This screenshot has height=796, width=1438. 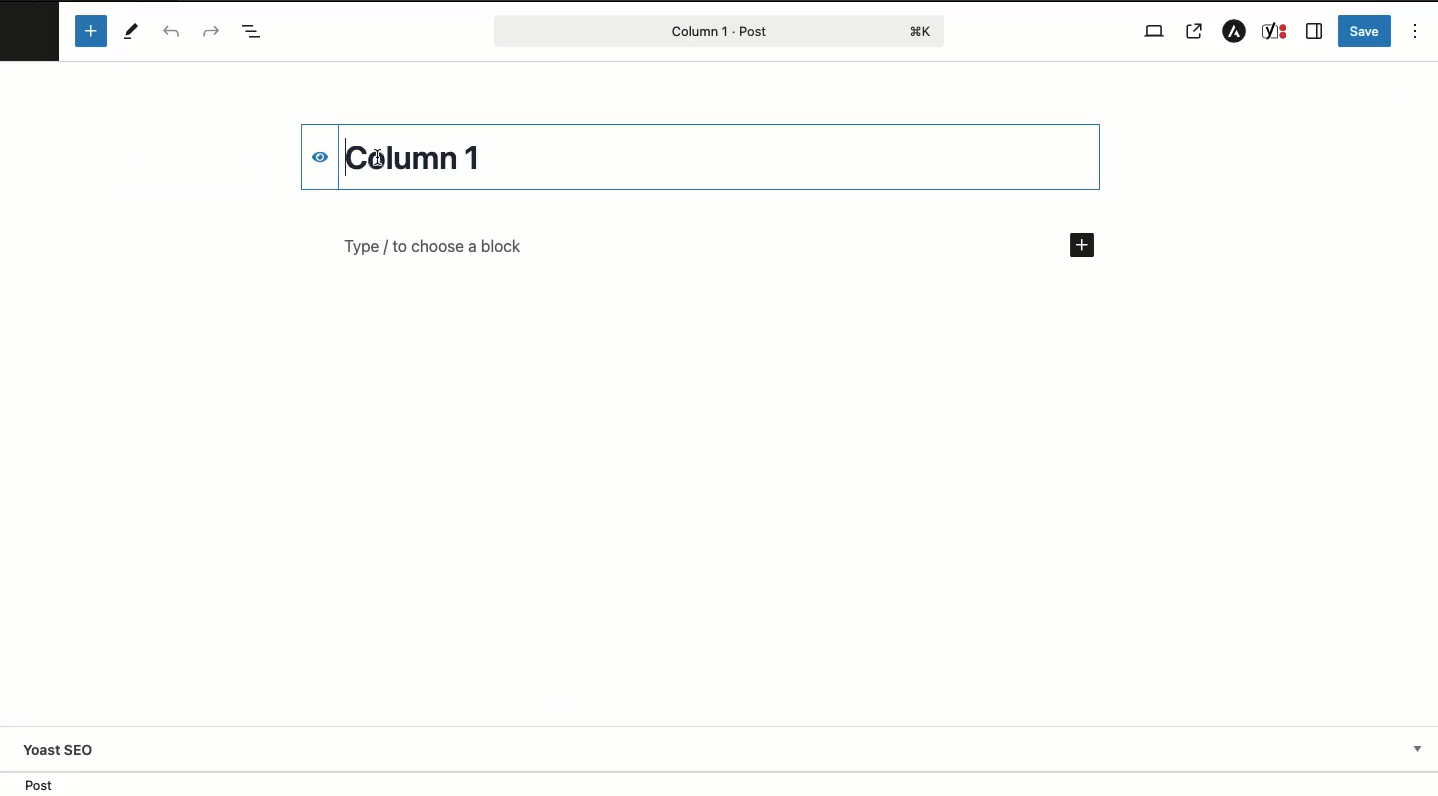 I want to click on Add block, so click(x=668, y=246).